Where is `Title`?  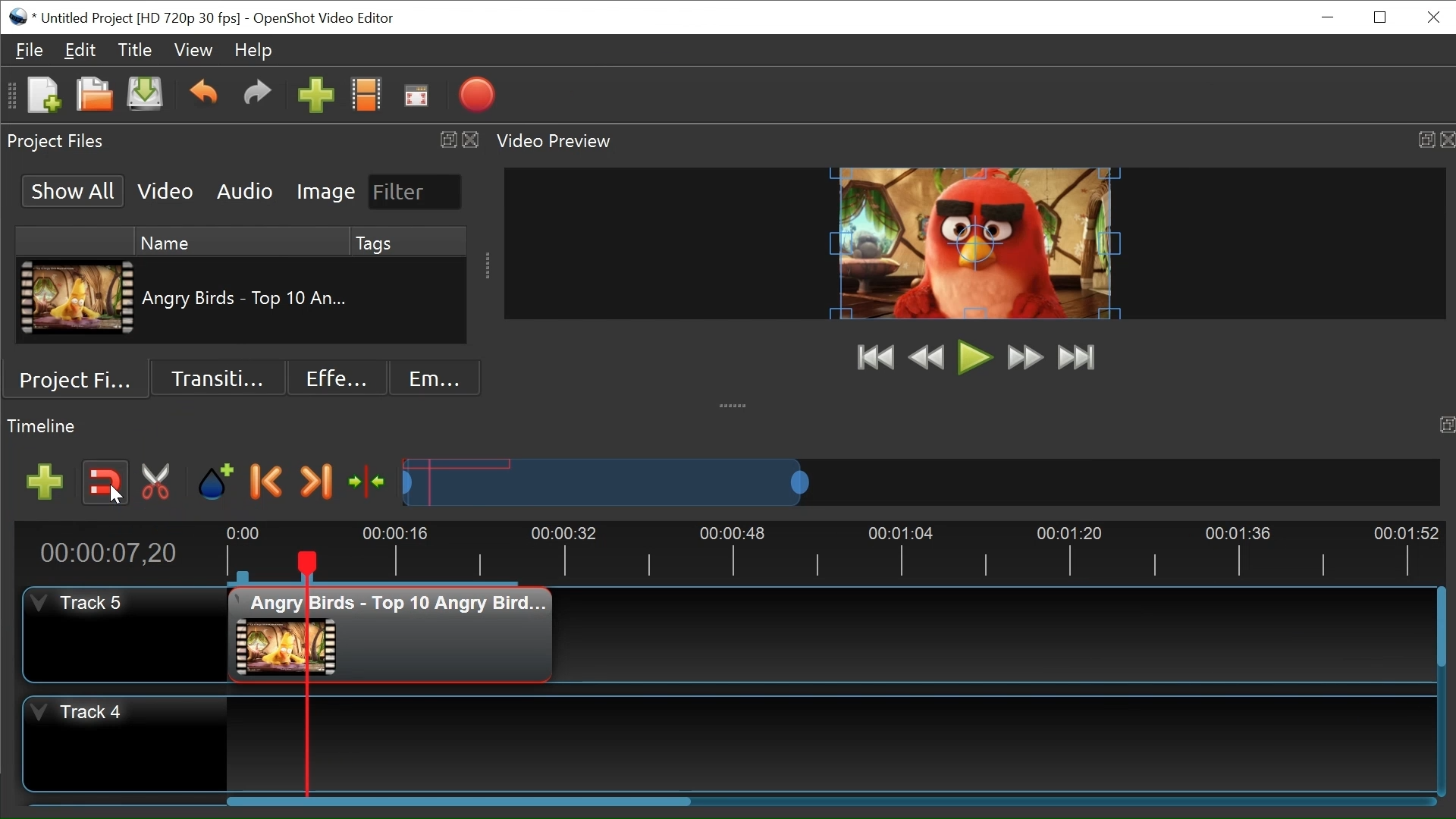
Title is located at coordinates (133, 49).